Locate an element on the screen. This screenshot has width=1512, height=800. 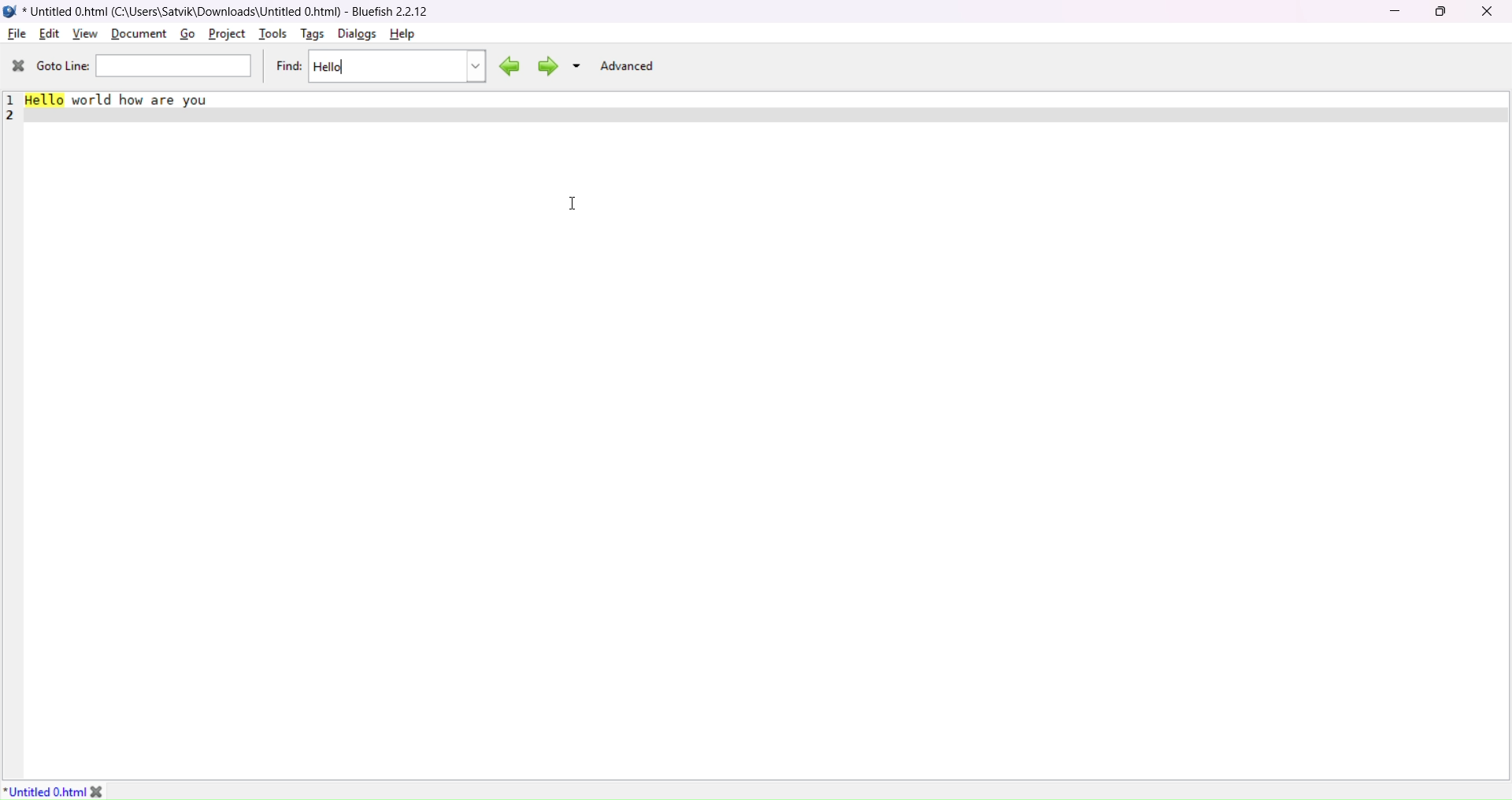
Hello is located at coordinates (332, 68).